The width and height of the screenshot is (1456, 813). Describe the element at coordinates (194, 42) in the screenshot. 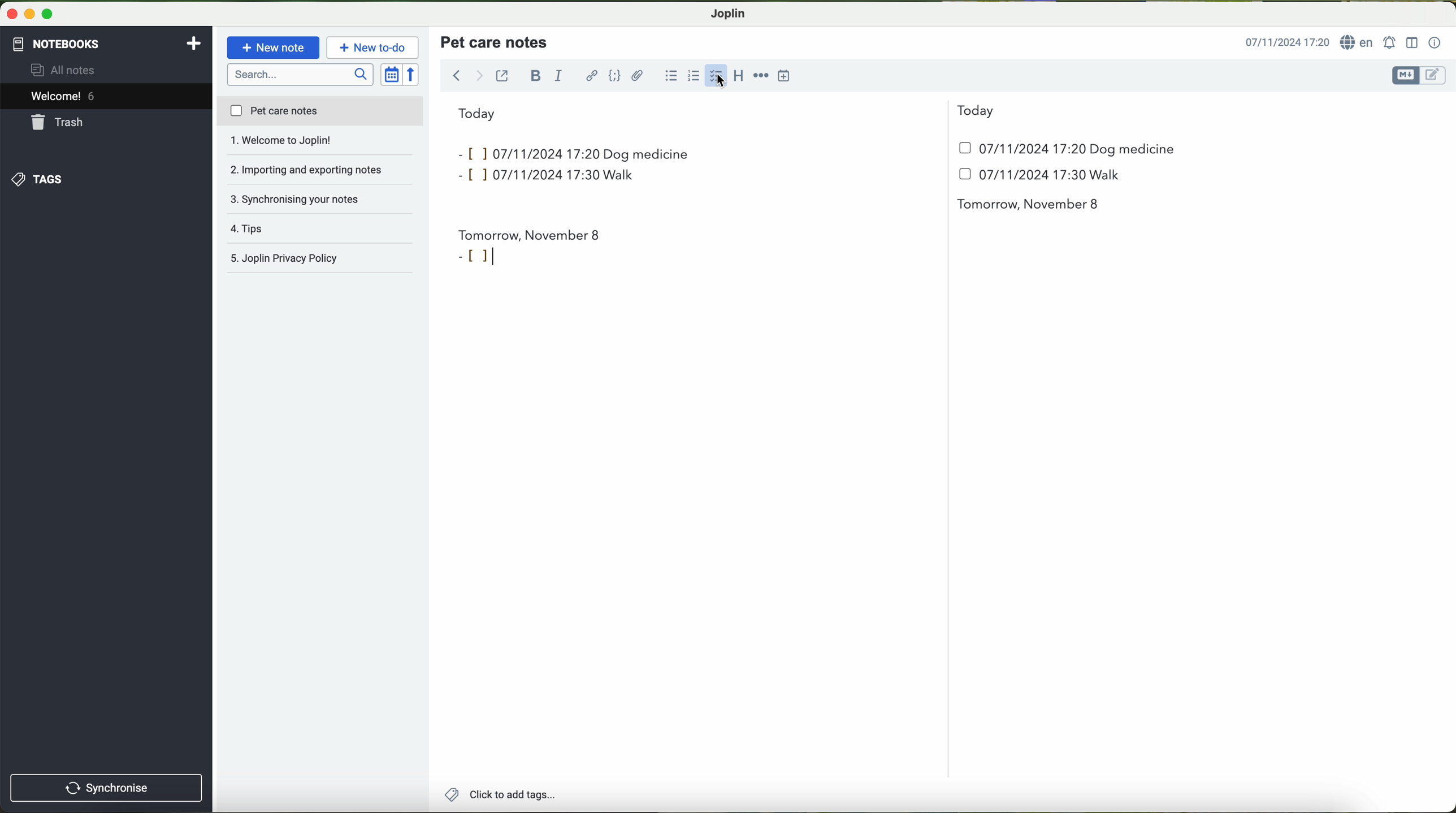

I see `add` at that location.